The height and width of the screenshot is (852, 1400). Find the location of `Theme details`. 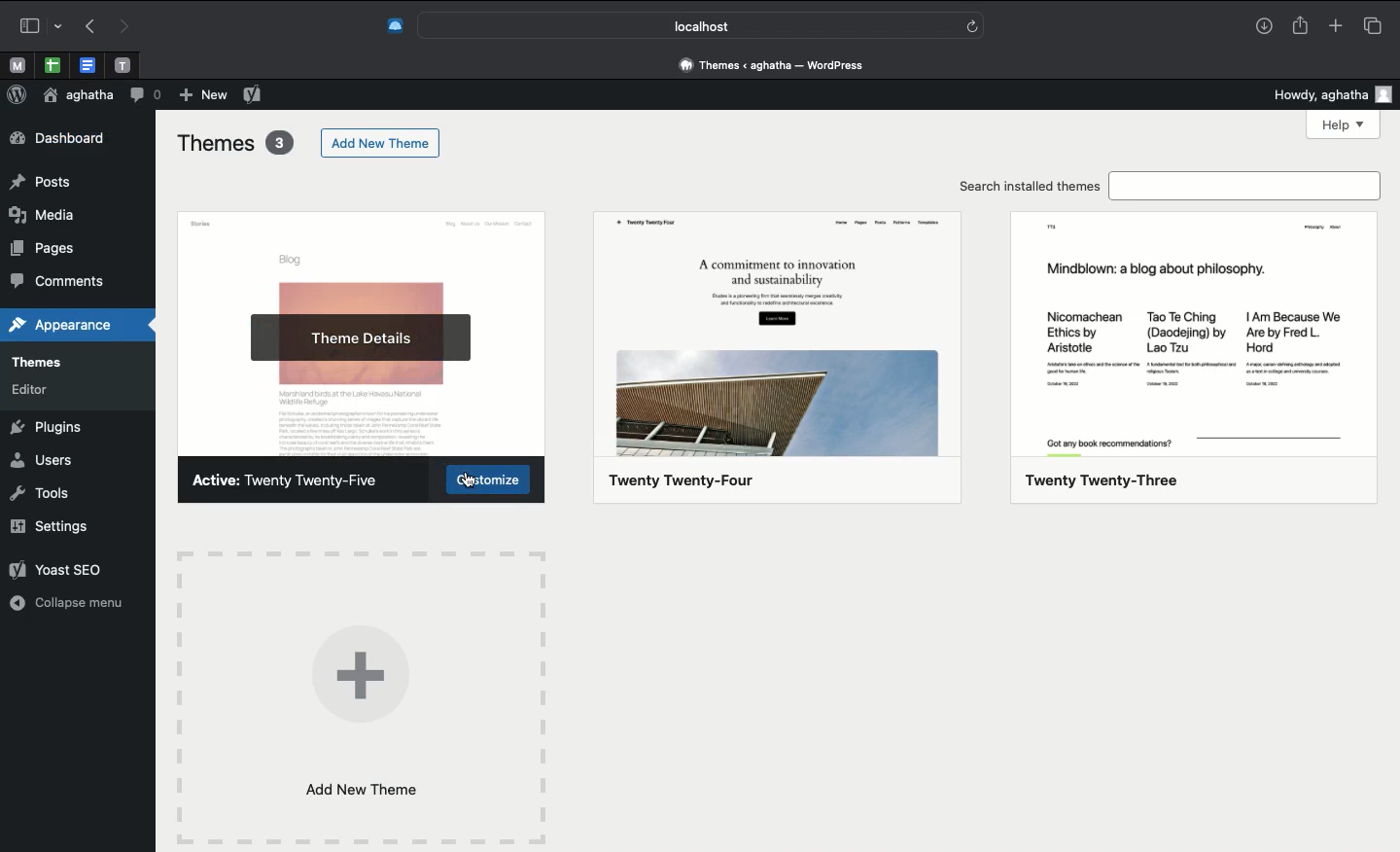

Theme details is located at coordinates (366, 335).